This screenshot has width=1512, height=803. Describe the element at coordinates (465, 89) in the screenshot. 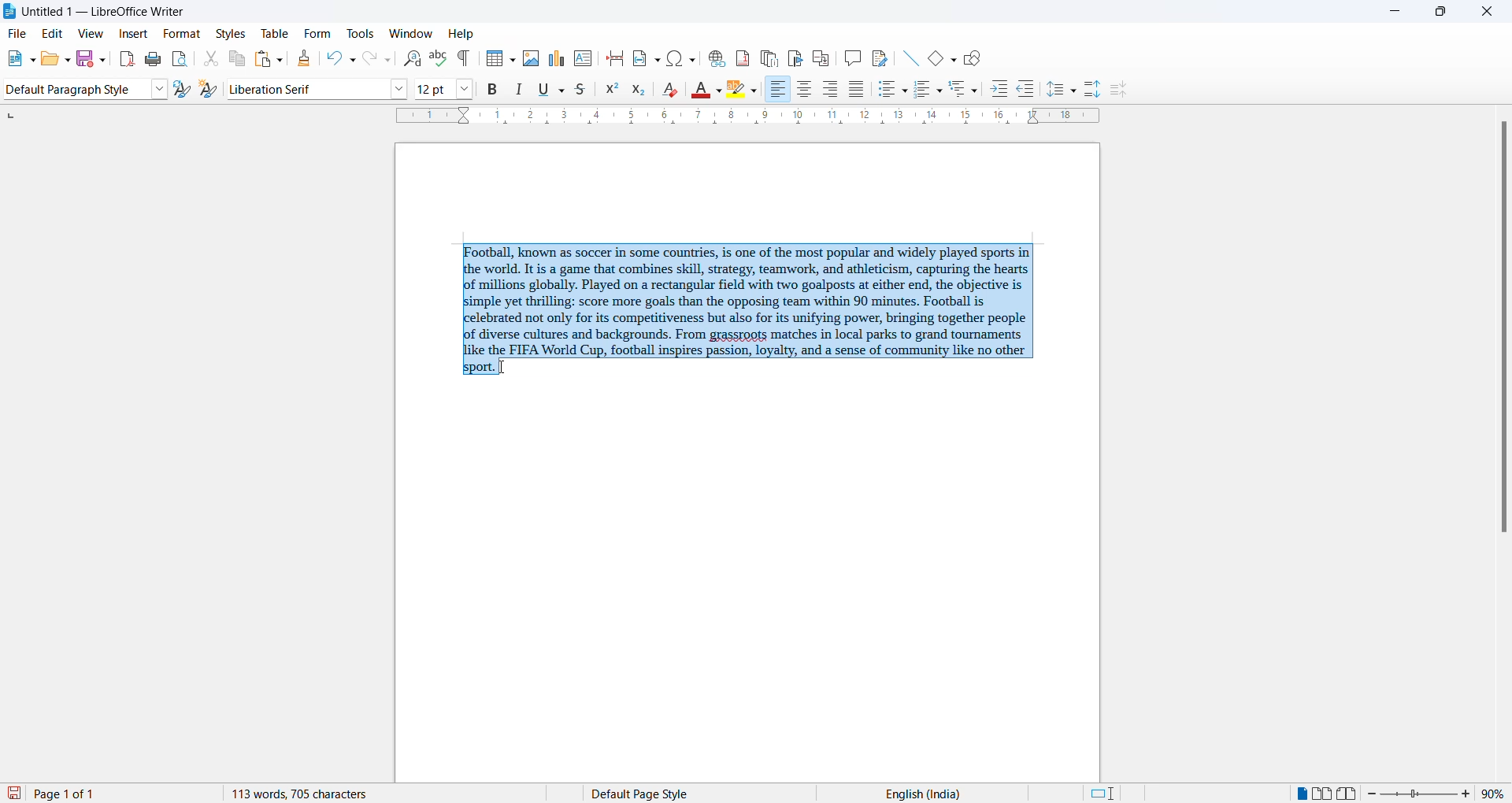

I see `font size options` at that location.